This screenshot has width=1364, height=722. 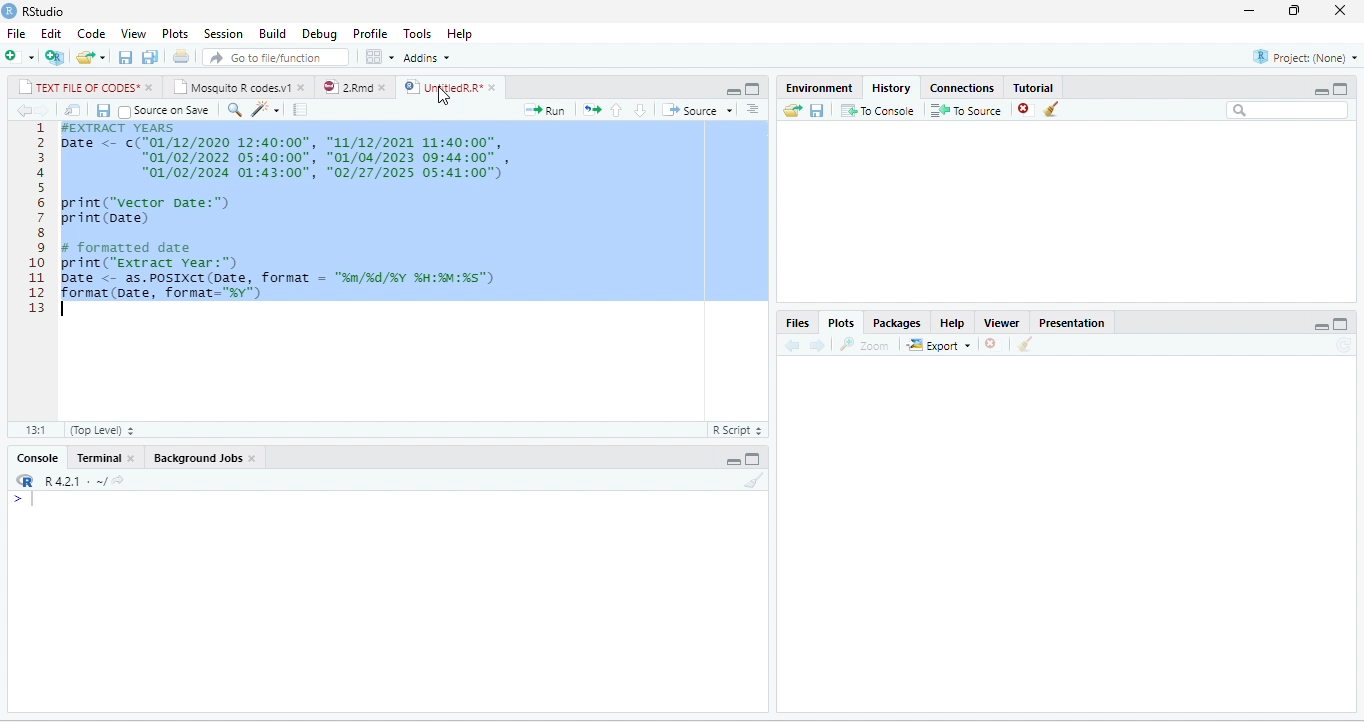 What do you see at coordinates (133, 34) in the screenshot?
I see `View` at bounding box center [133, 34].